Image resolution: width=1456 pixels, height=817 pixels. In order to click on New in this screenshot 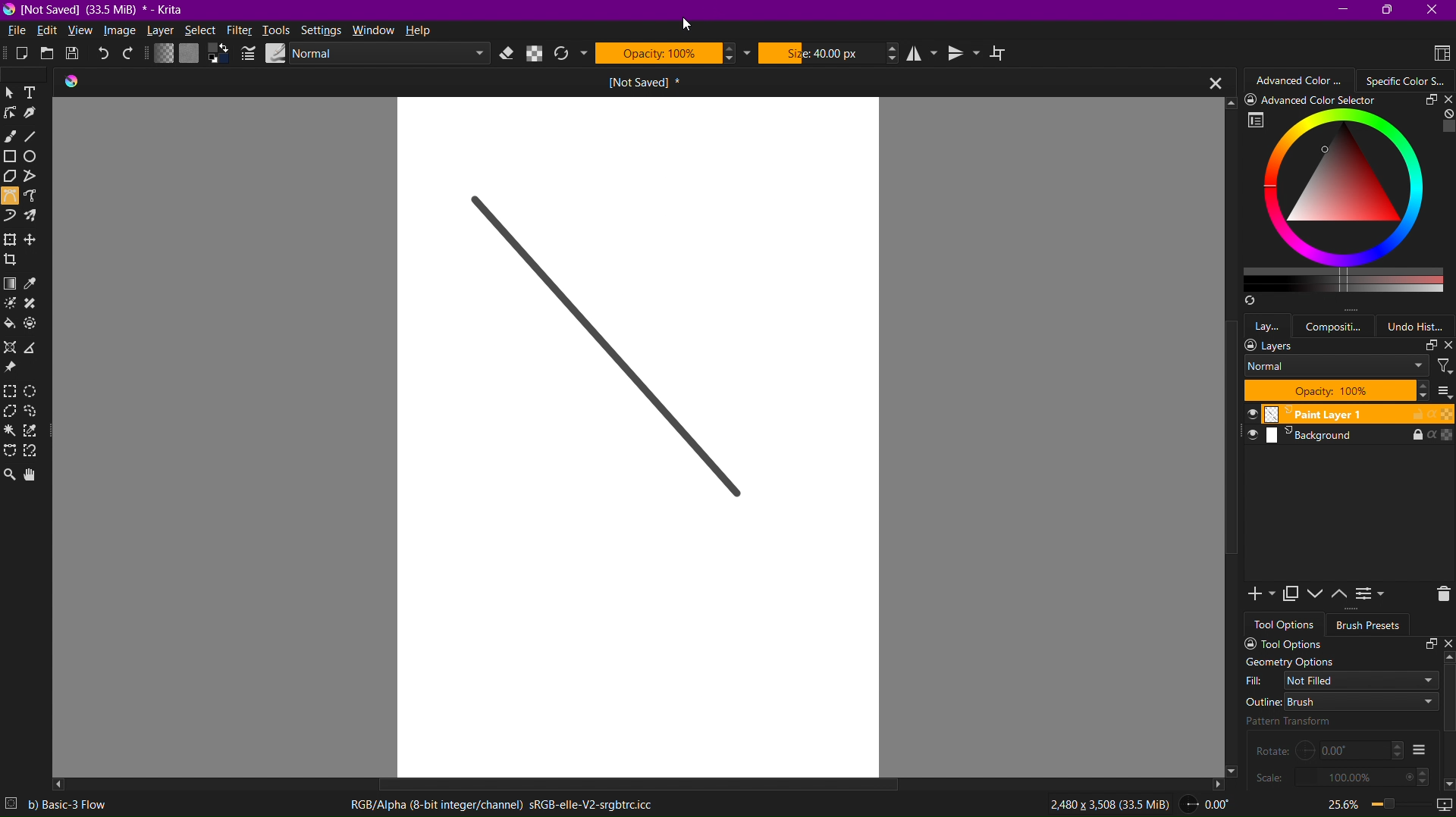, I will do `click(14, 55)`.